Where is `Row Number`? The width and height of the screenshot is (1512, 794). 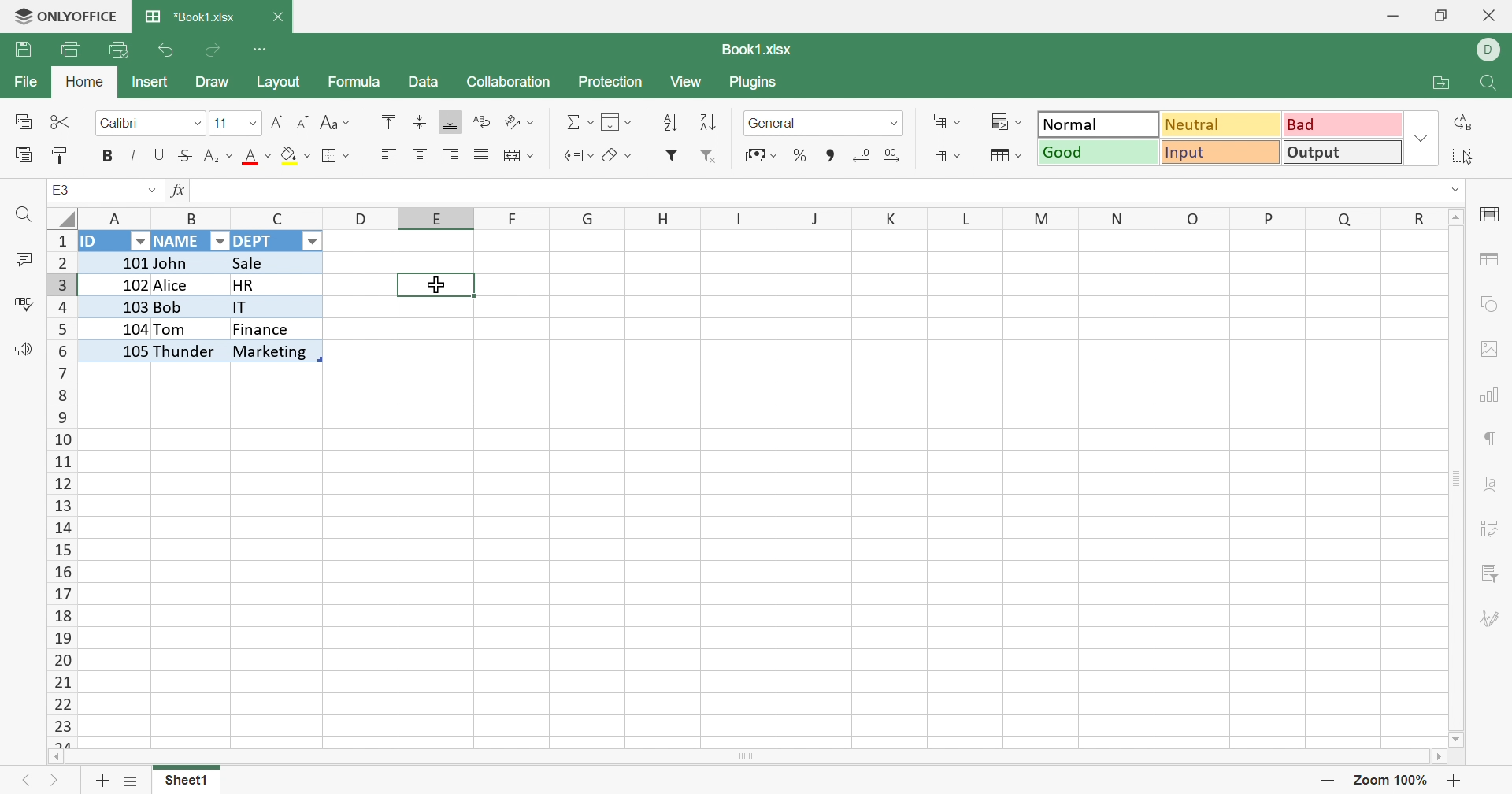
Row Number is located at coordinates (60, 488).